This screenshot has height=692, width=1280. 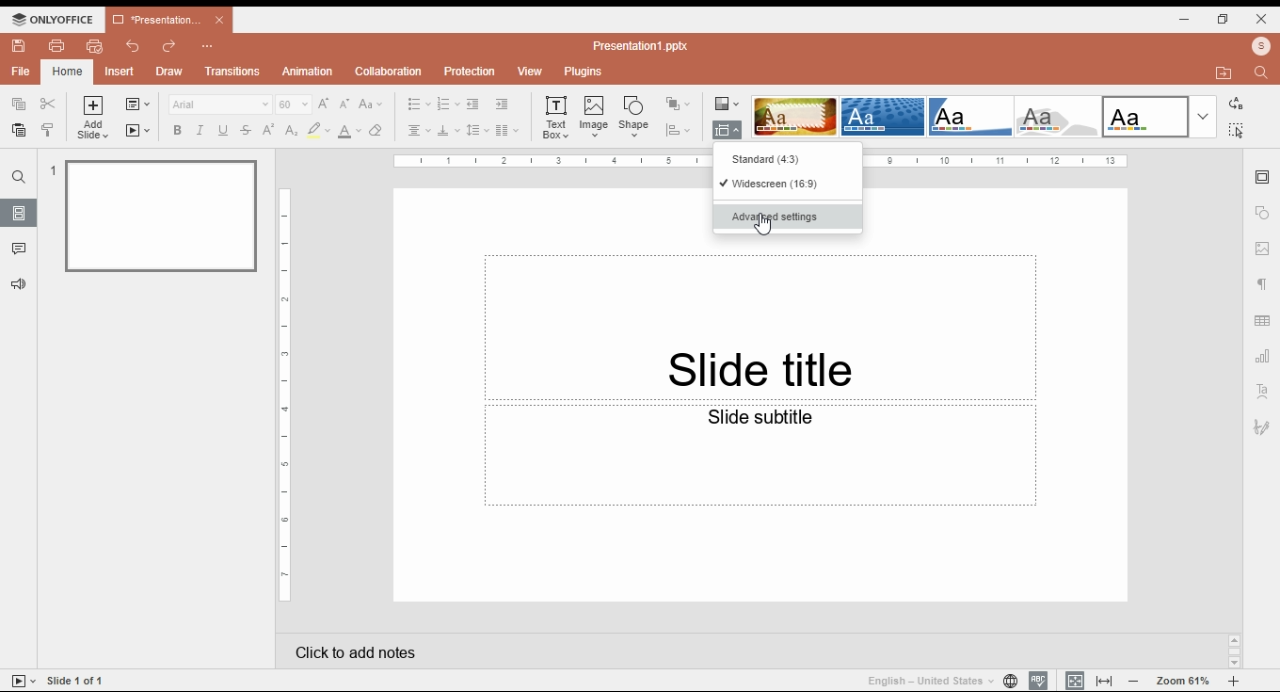 What do you see at coordinates (286, 396) in the screenshot?
I see `Page Scale` at bounding box center [286, 396].